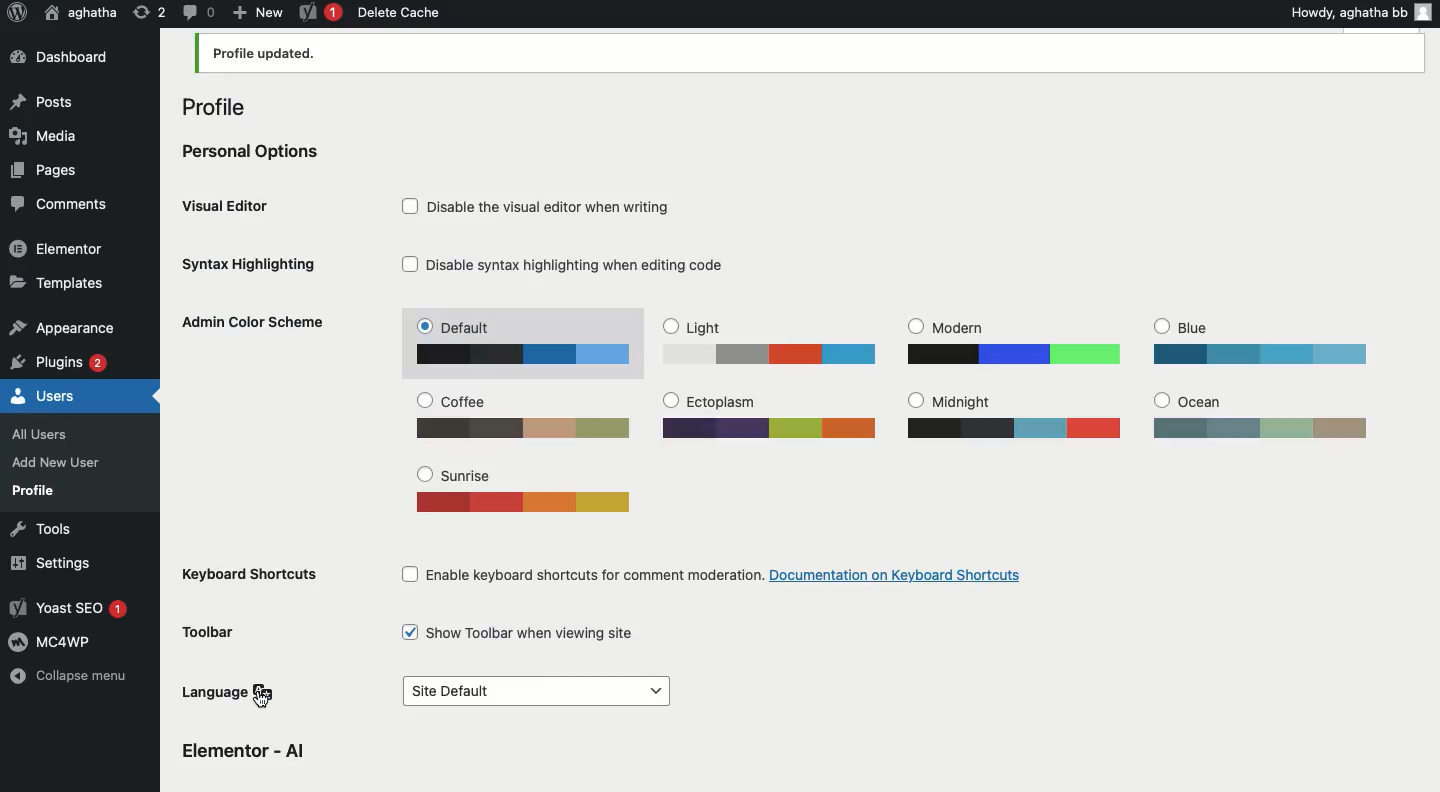  Describe the element at coordinates (1256, 412) in the screenshot. I see `Ocean` at that location.